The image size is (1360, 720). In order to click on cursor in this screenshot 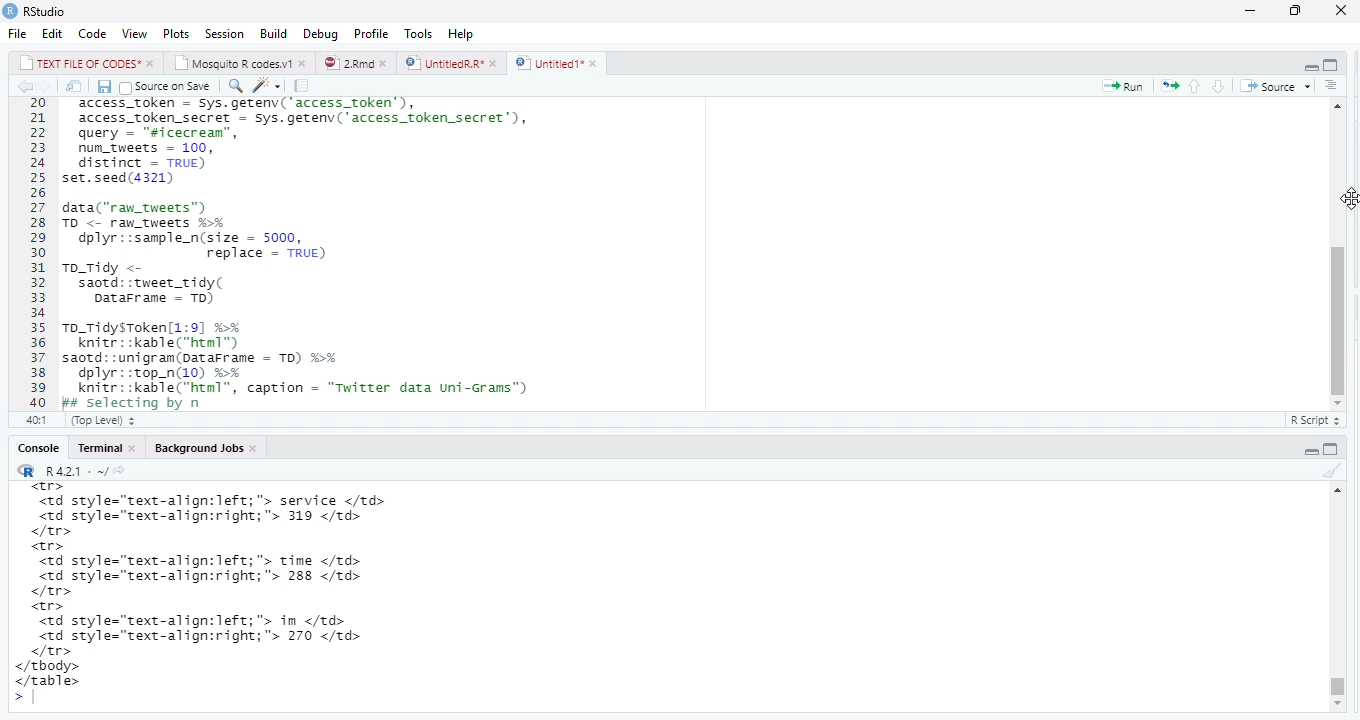, I will do `click(1349, 197)`.